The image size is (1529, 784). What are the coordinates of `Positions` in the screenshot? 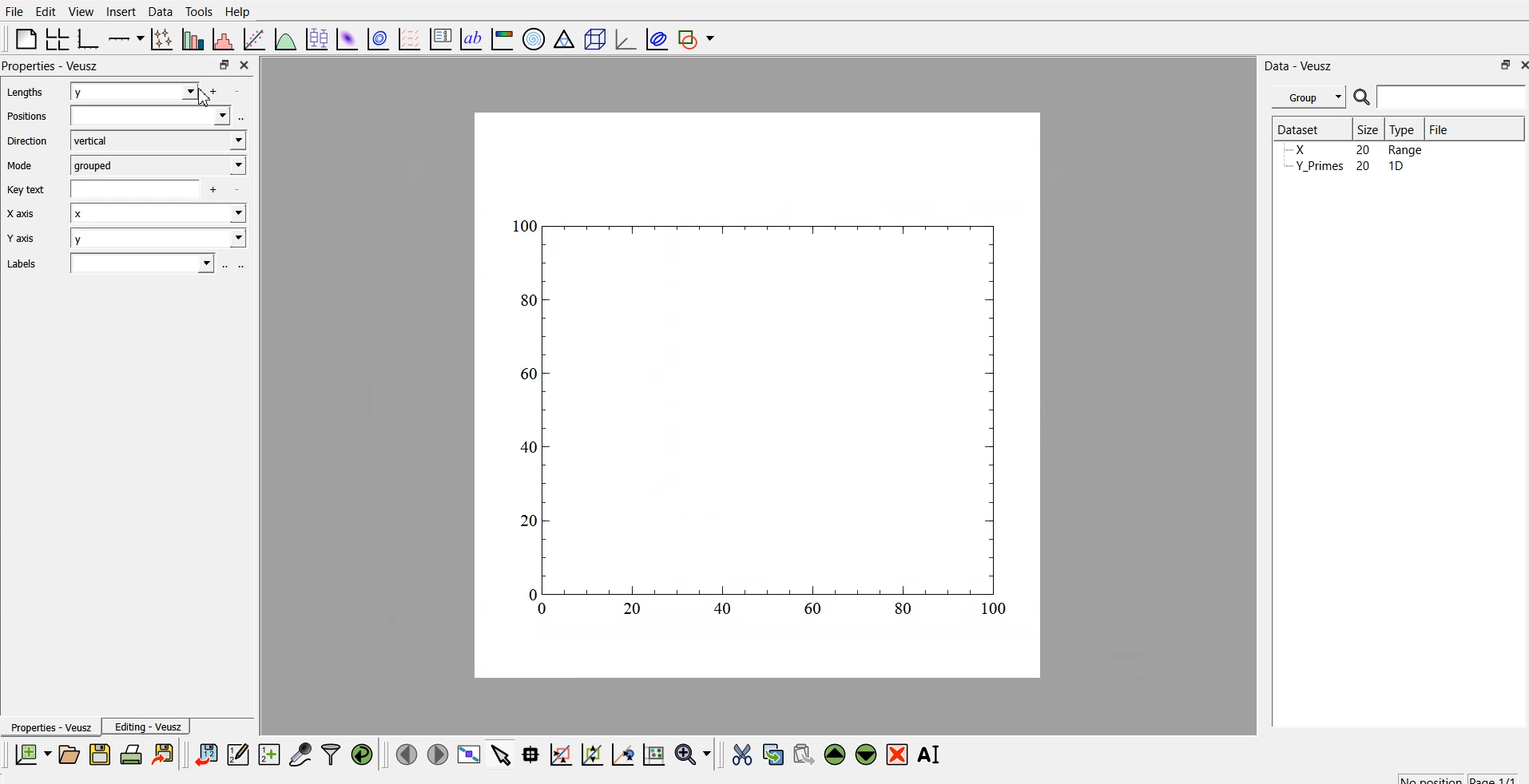 It's located at (128, 117).